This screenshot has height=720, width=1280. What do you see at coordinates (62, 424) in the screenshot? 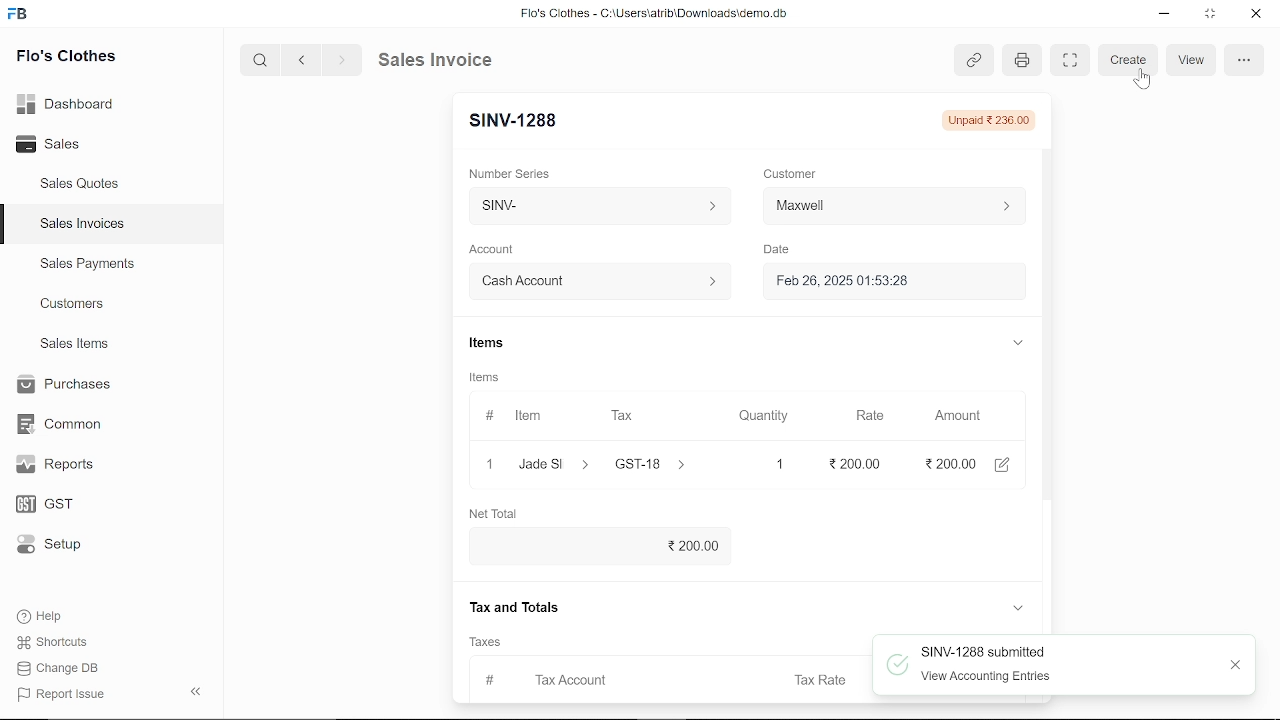
I see `Common` at bounding box center [62, 424].